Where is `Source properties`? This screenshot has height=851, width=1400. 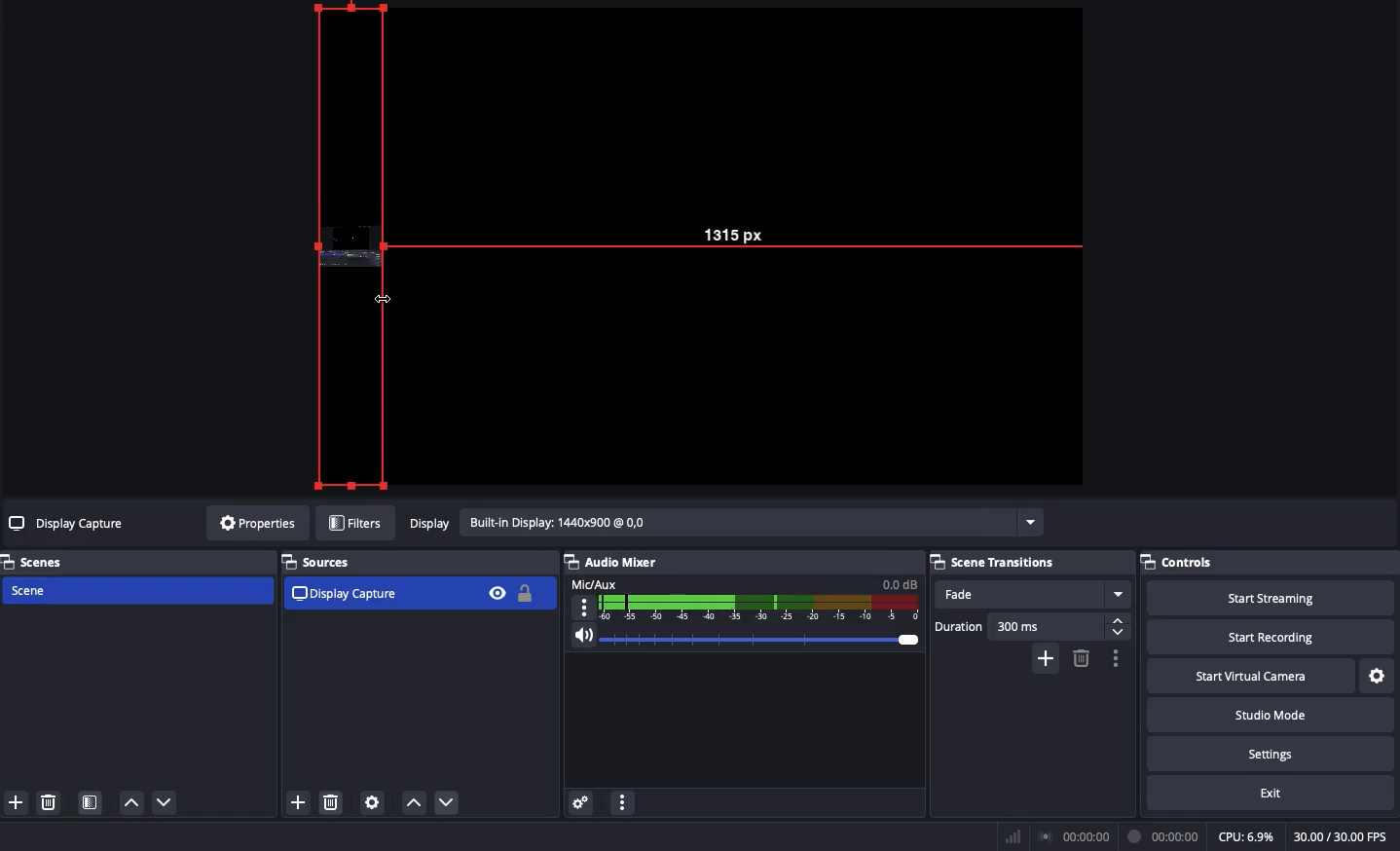 Source properties is located at coordinates (371, 803).